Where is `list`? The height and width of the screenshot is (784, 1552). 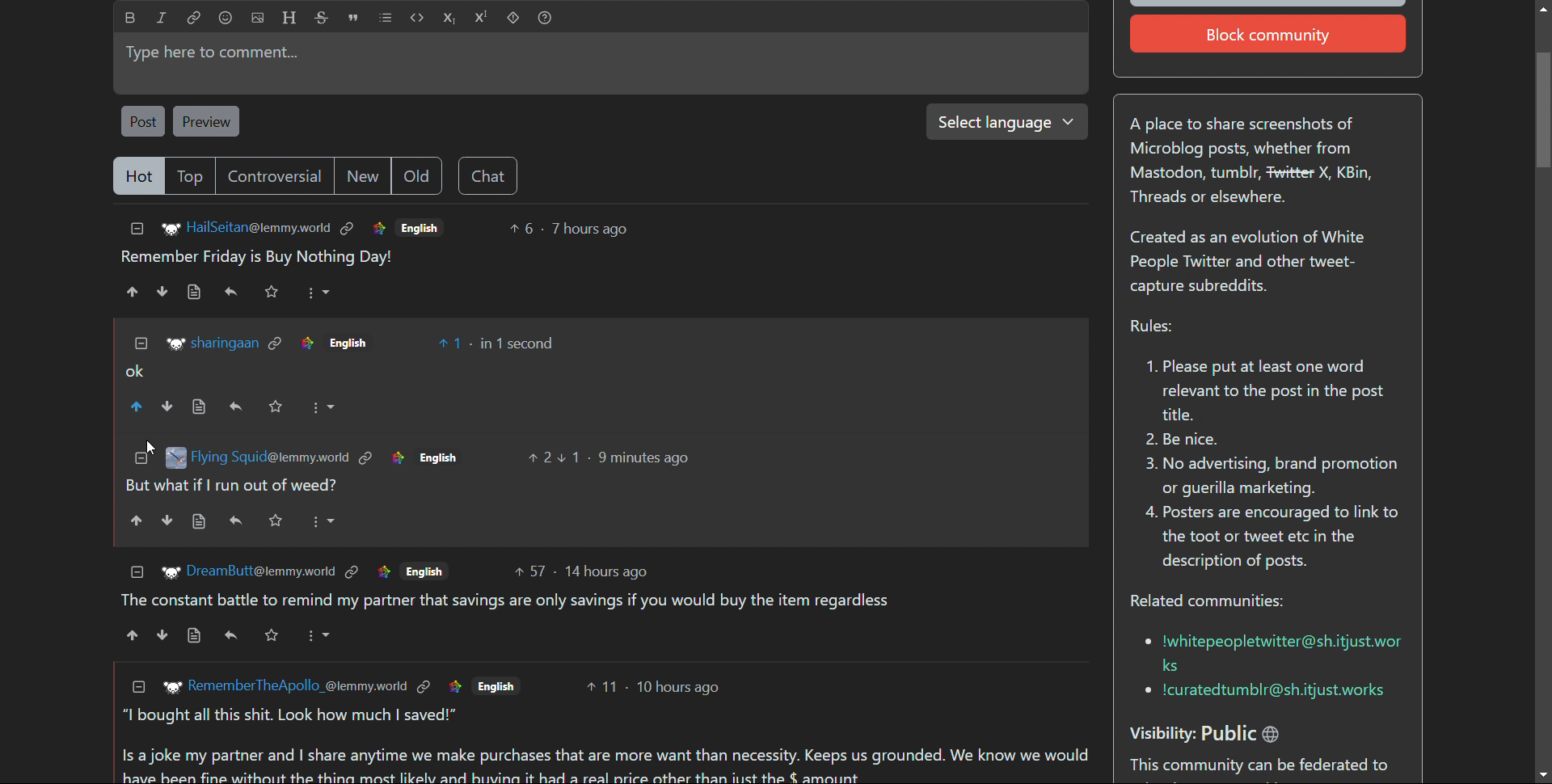
list is located at coordinates (386, 18).